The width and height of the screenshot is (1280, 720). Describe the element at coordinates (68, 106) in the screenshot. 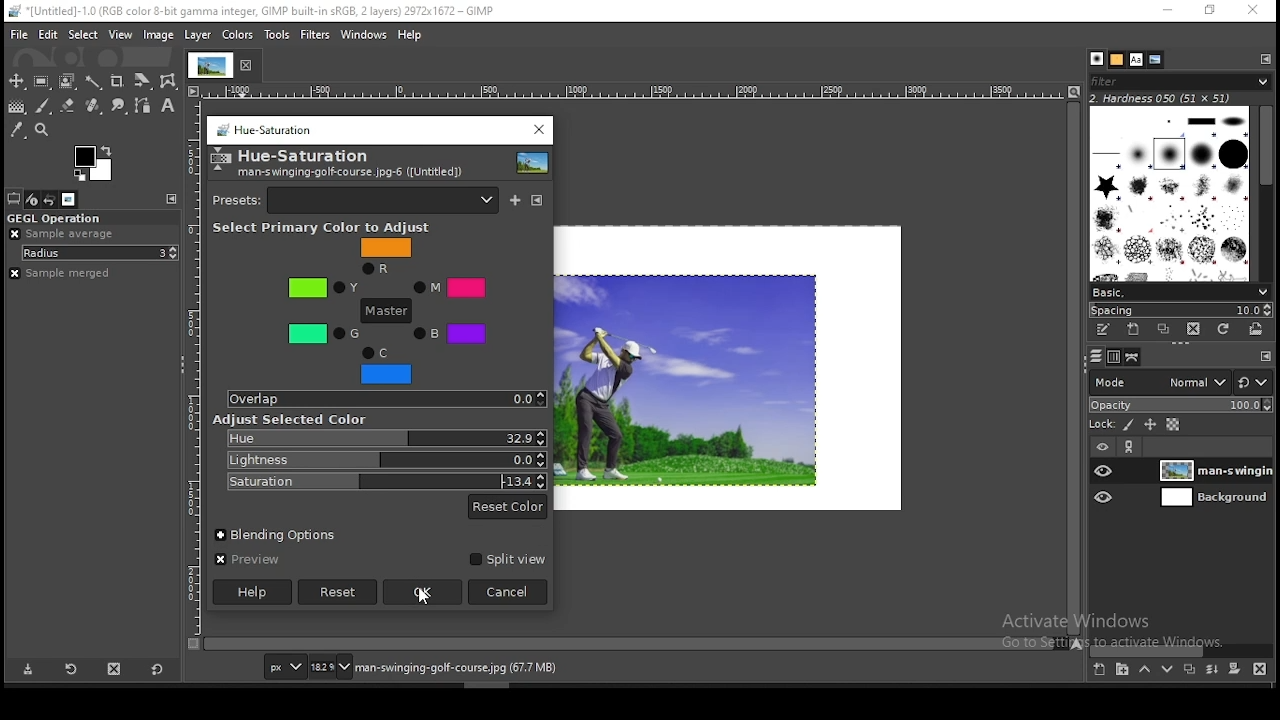

I see `eraser tool` at that location.